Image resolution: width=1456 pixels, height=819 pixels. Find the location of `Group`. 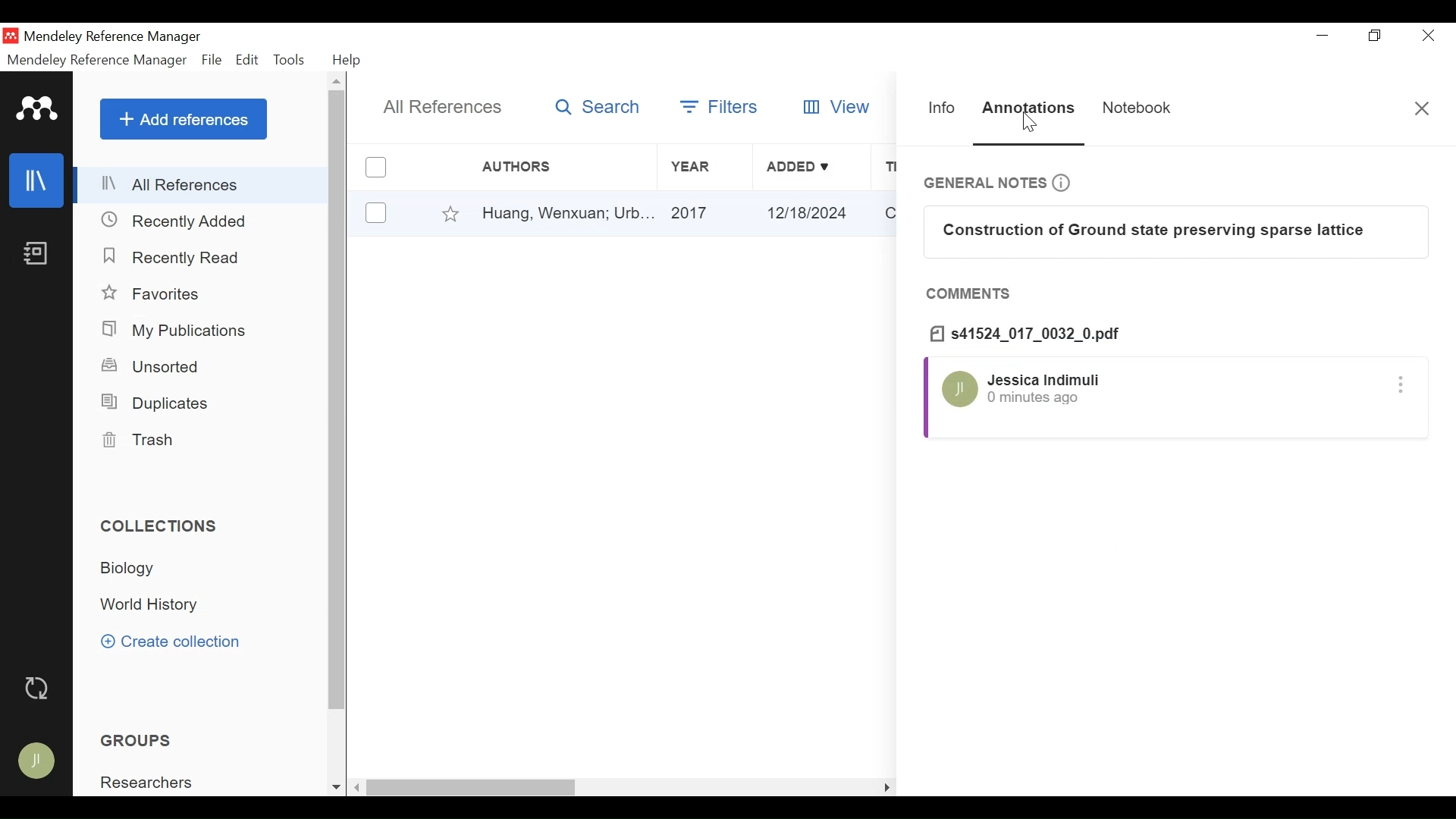

Group is located at coordinates (140, 739).